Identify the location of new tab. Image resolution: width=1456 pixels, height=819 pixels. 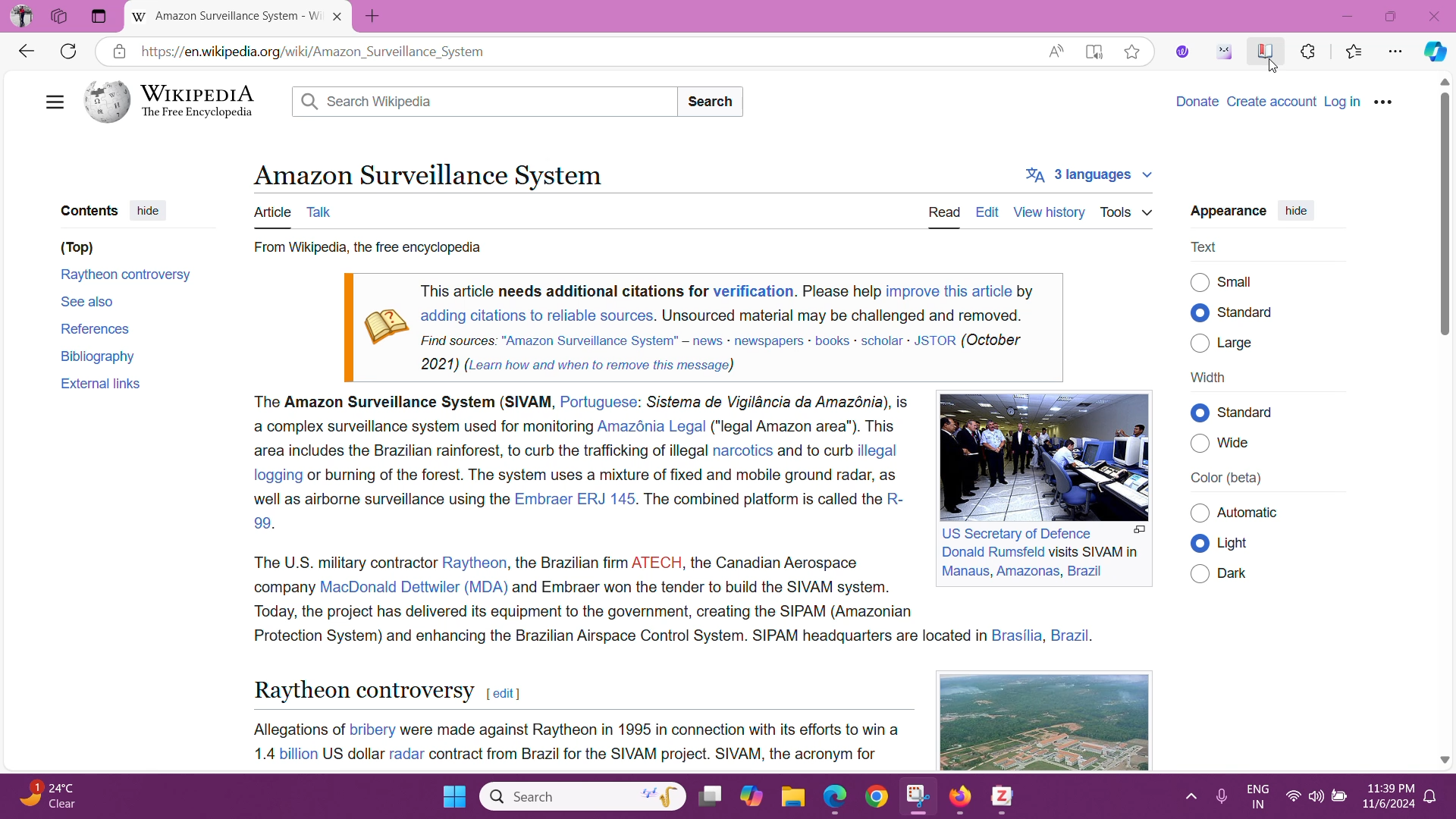
(381, 13).